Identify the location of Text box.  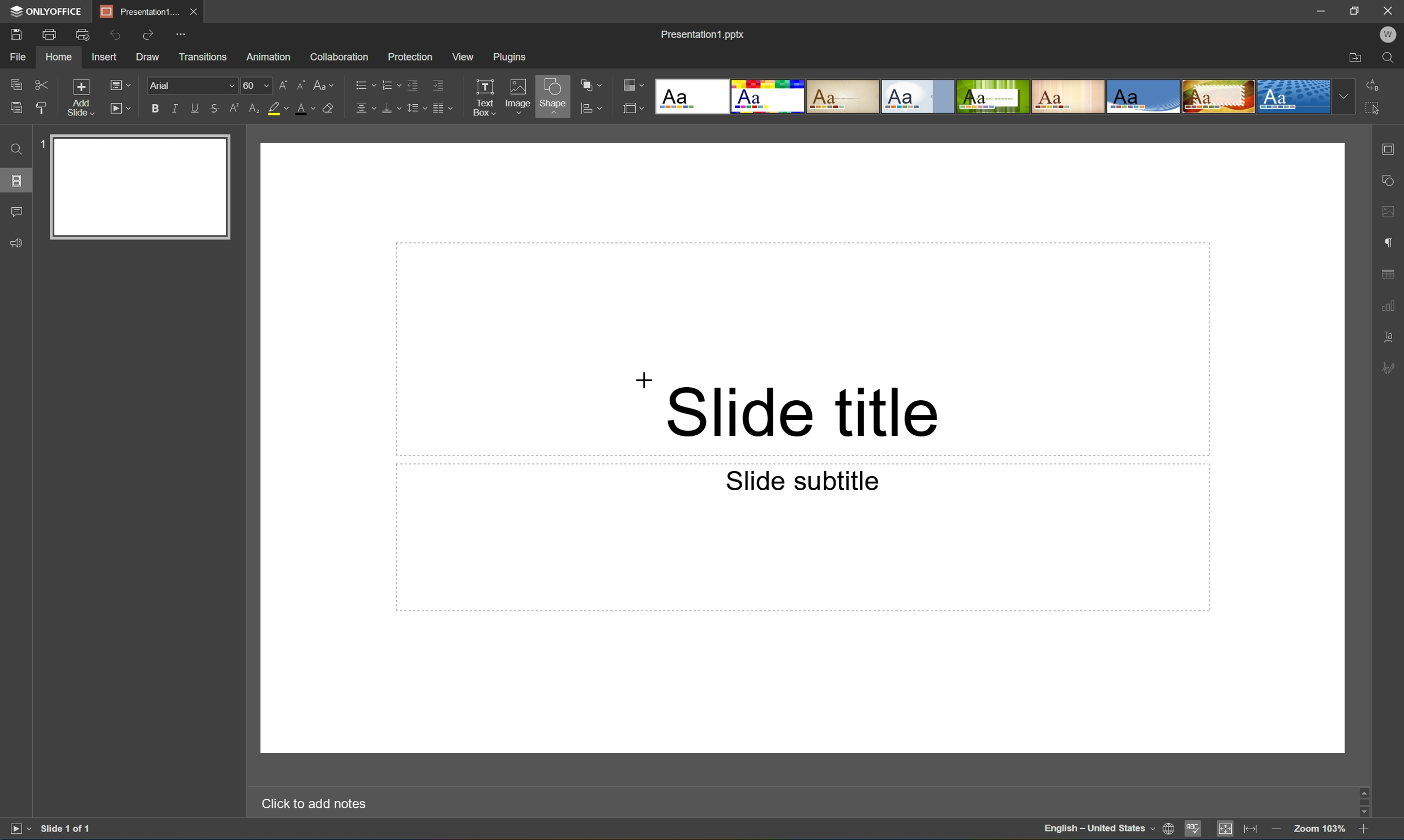
(485, 97).